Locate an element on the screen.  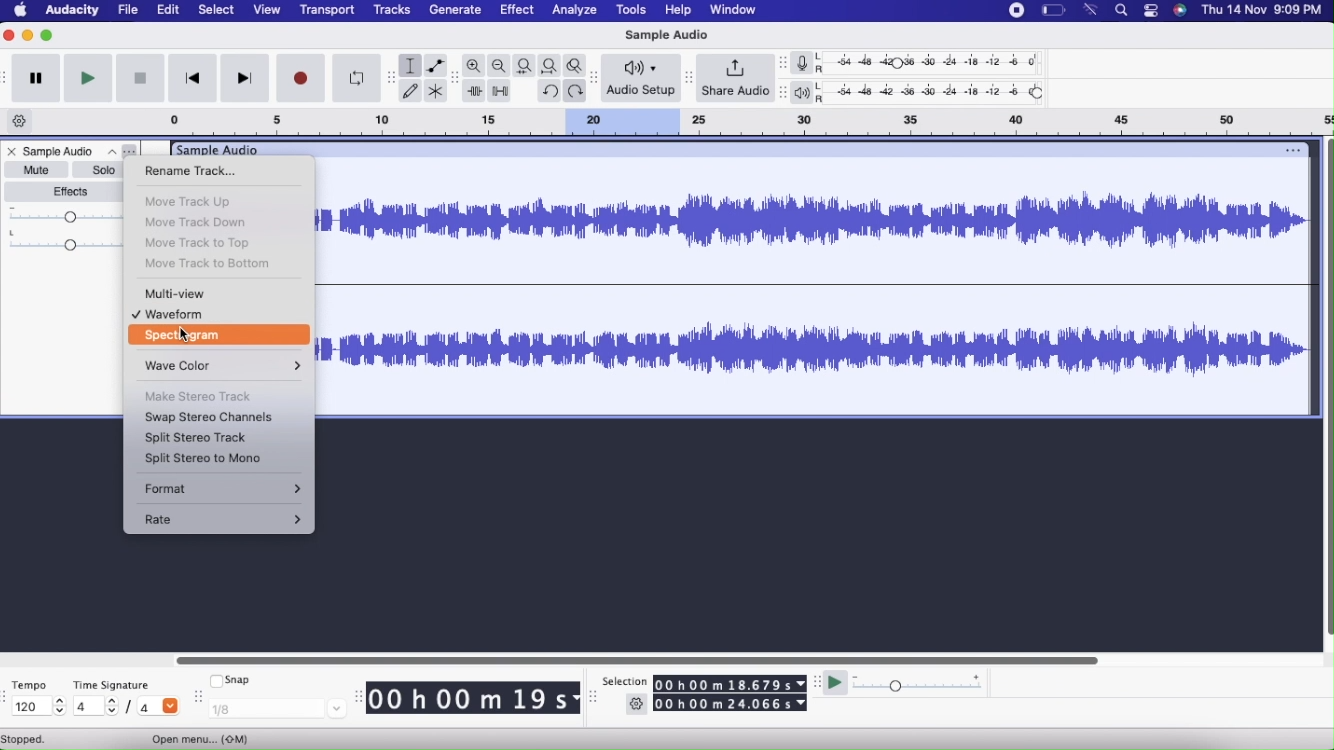
Timeline options is located at coordinates (21, 119).